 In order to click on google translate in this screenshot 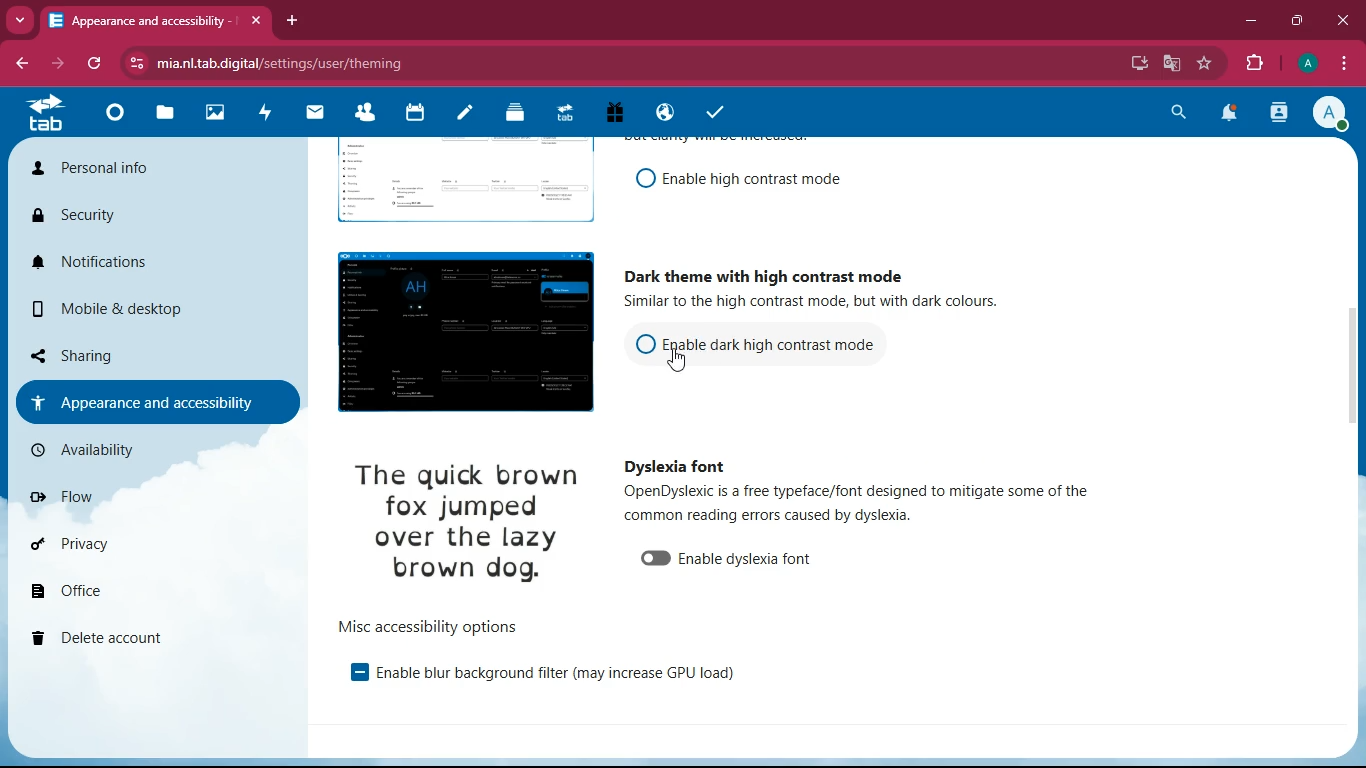, I will do `click(1170, 63)`.